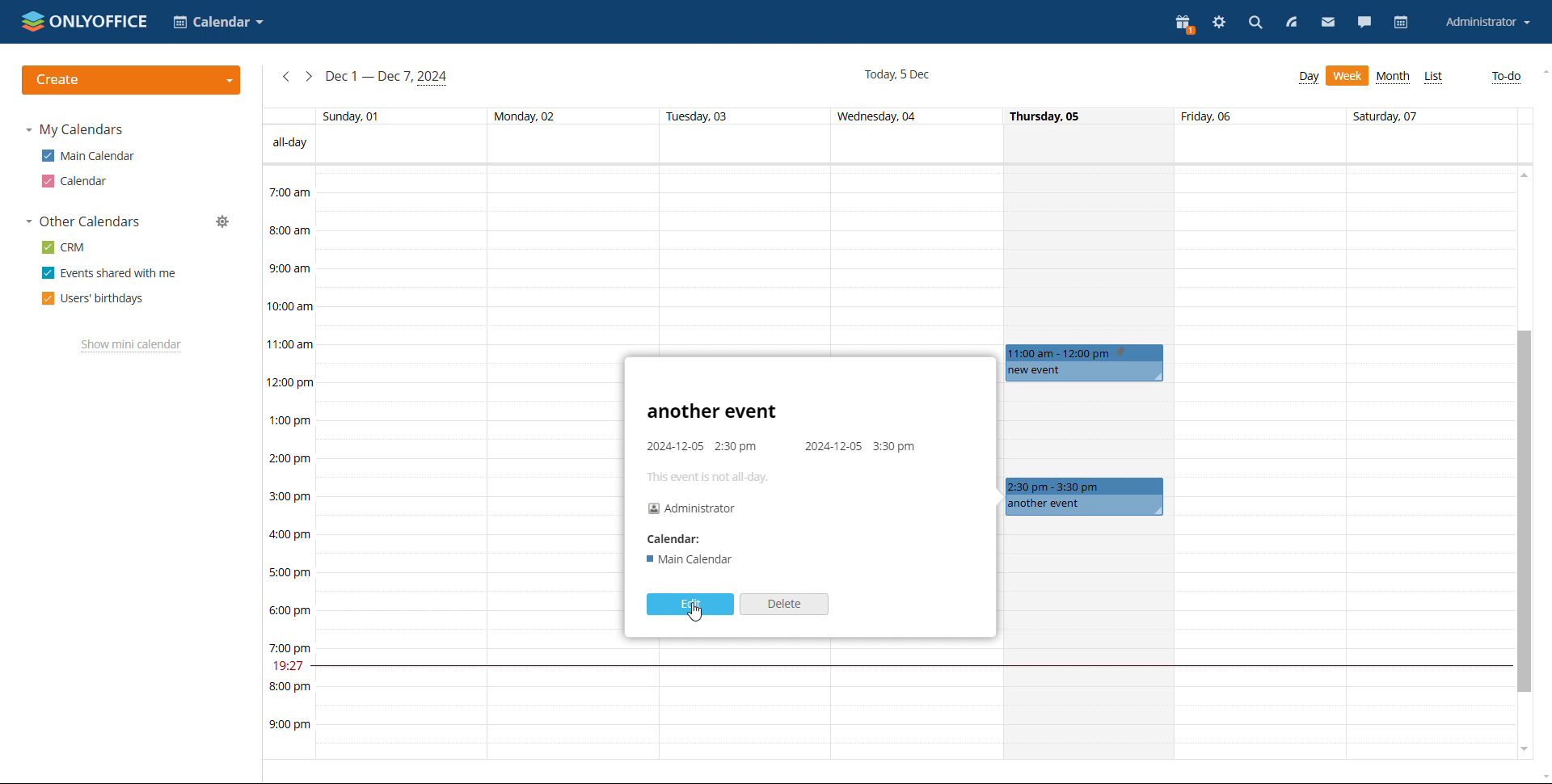  What do you see at coordinates (285, 75) in the screenshot?
I see `previous week` at bounding box center [285, 75].